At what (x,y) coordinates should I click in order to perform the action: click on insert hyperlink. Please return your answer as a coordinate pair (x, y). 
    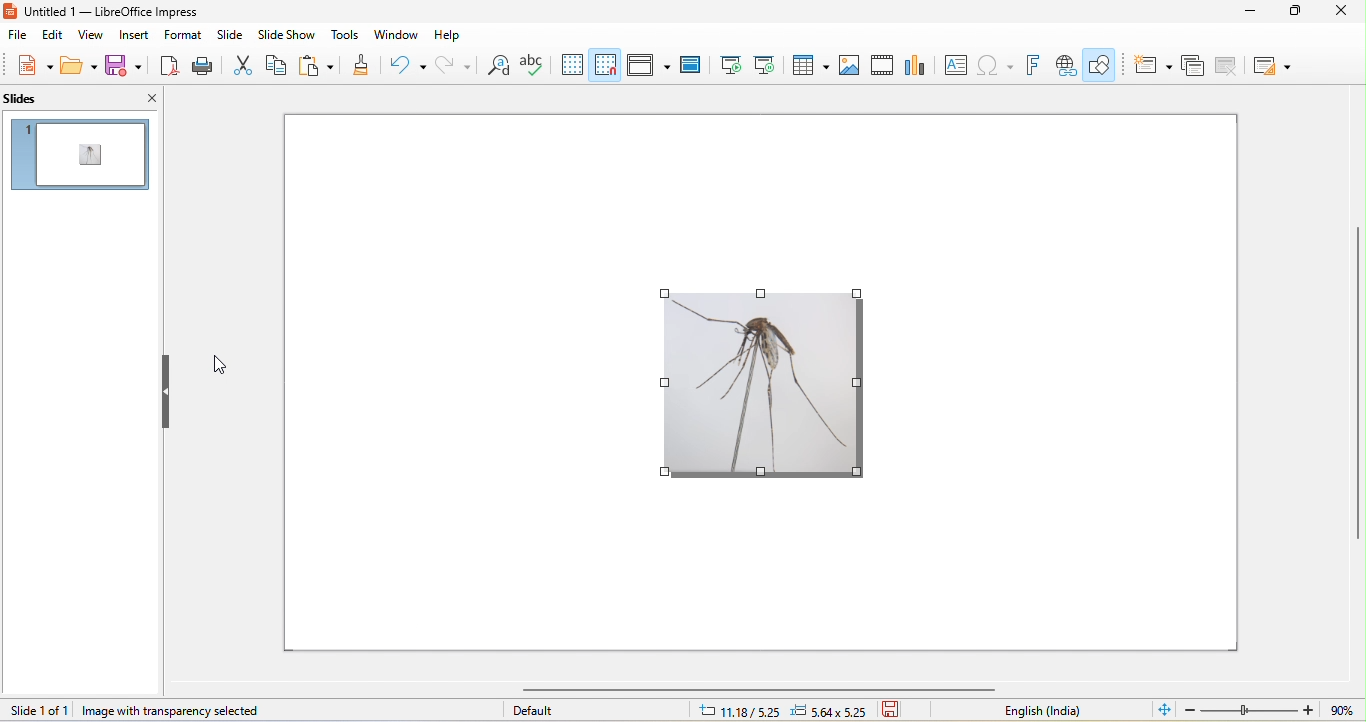
    Looking at the image, I should click on (1066, 67).